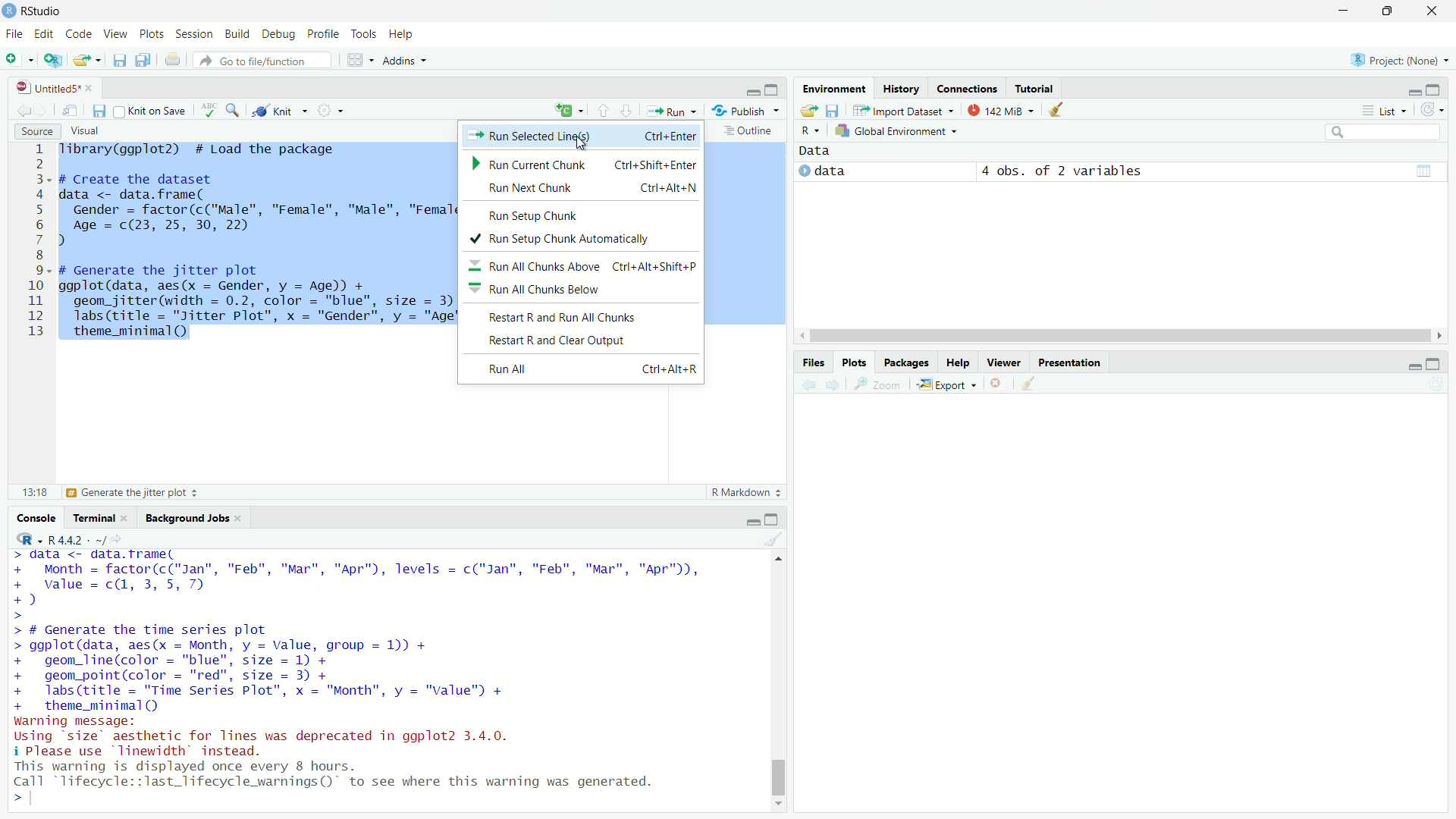 Image resolution: width=1456 pixels, height=819 pixels. Describe the element at coordinates (900, 89) in the screenshot. I see `history` at that location.